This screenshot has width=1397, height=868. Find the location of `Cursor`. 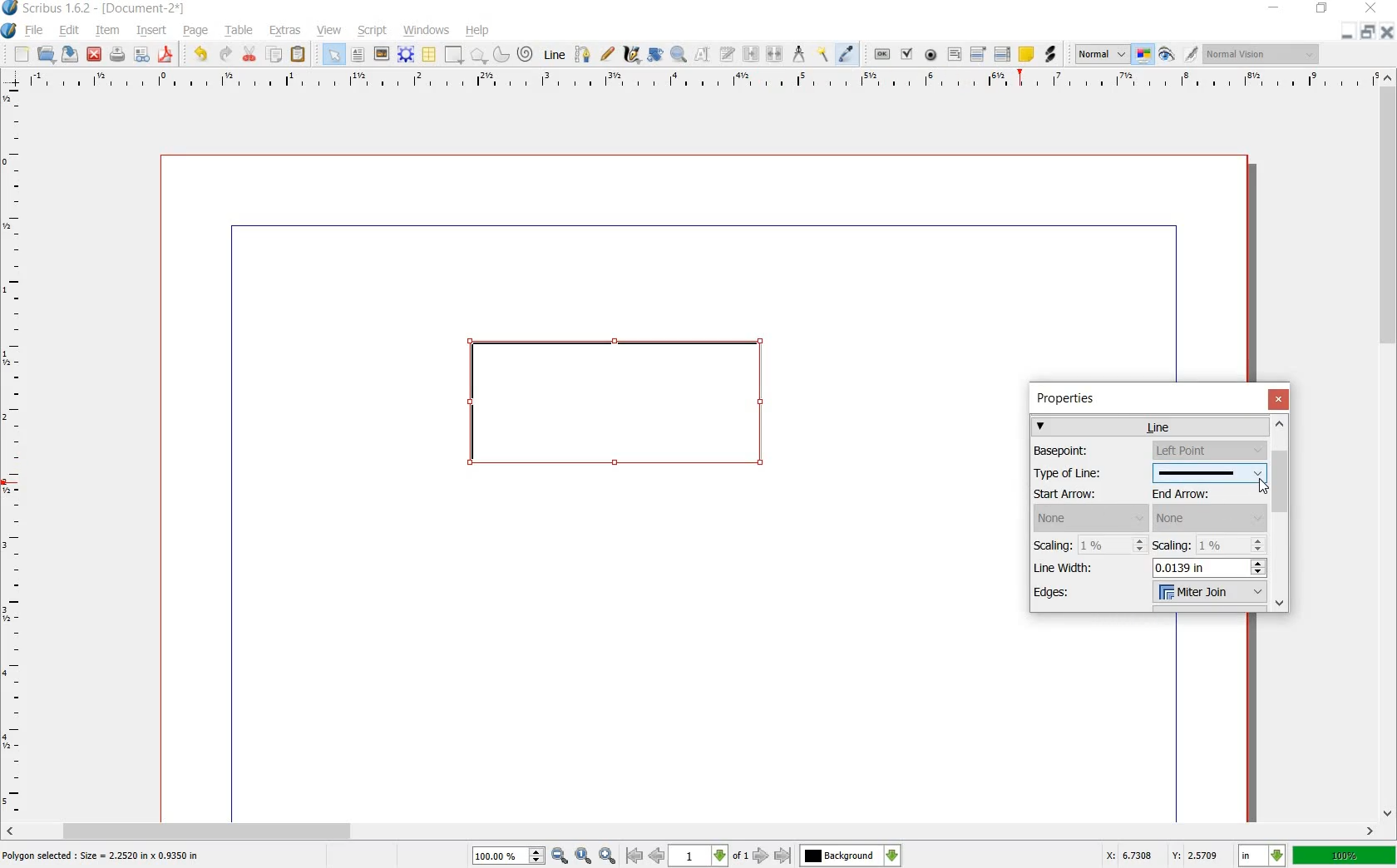

Cursor is located at coordinates (1264, 486).